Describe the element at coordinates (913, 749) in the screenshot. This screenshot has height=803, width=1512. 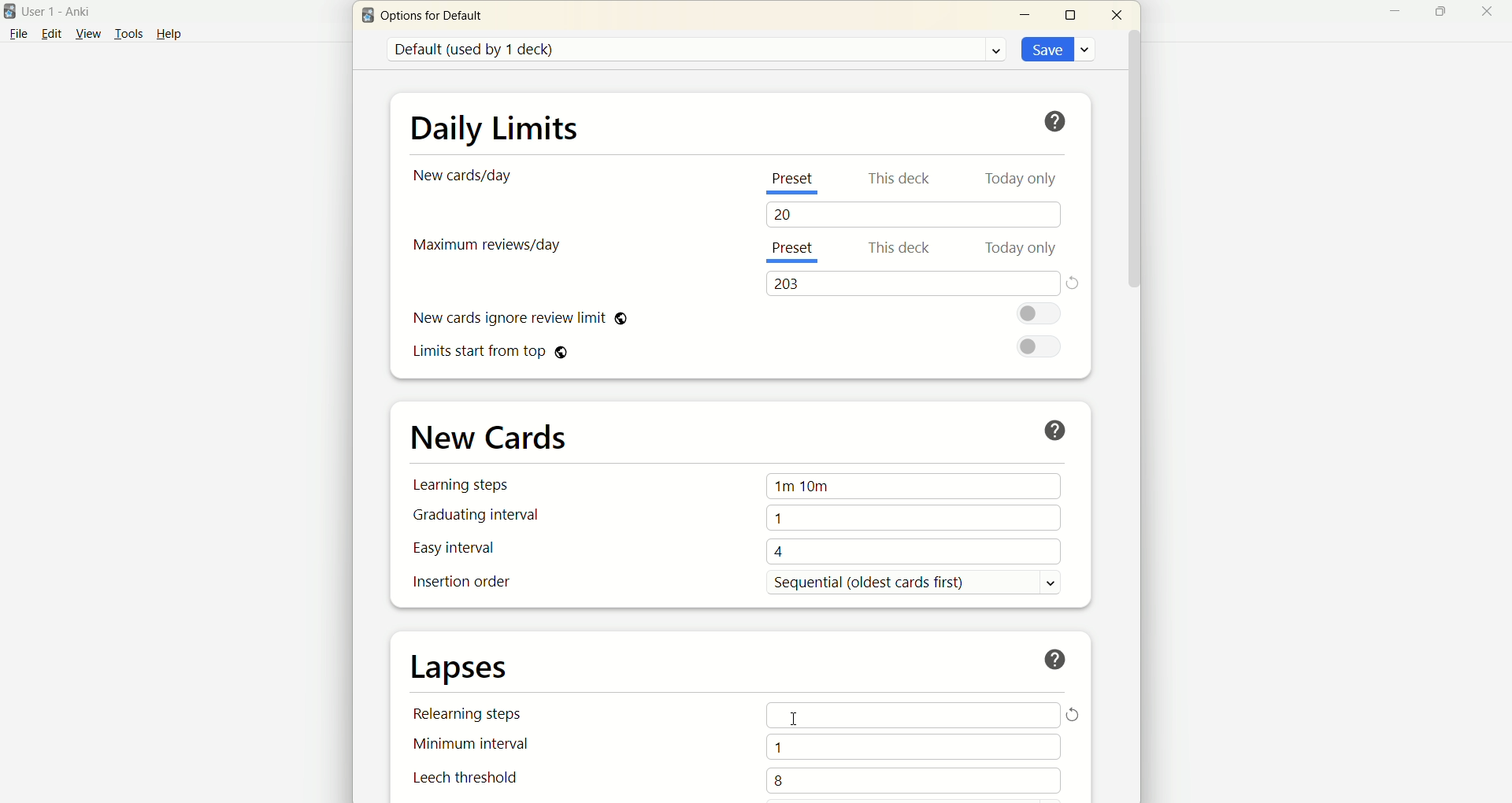
I see `1` at that location.